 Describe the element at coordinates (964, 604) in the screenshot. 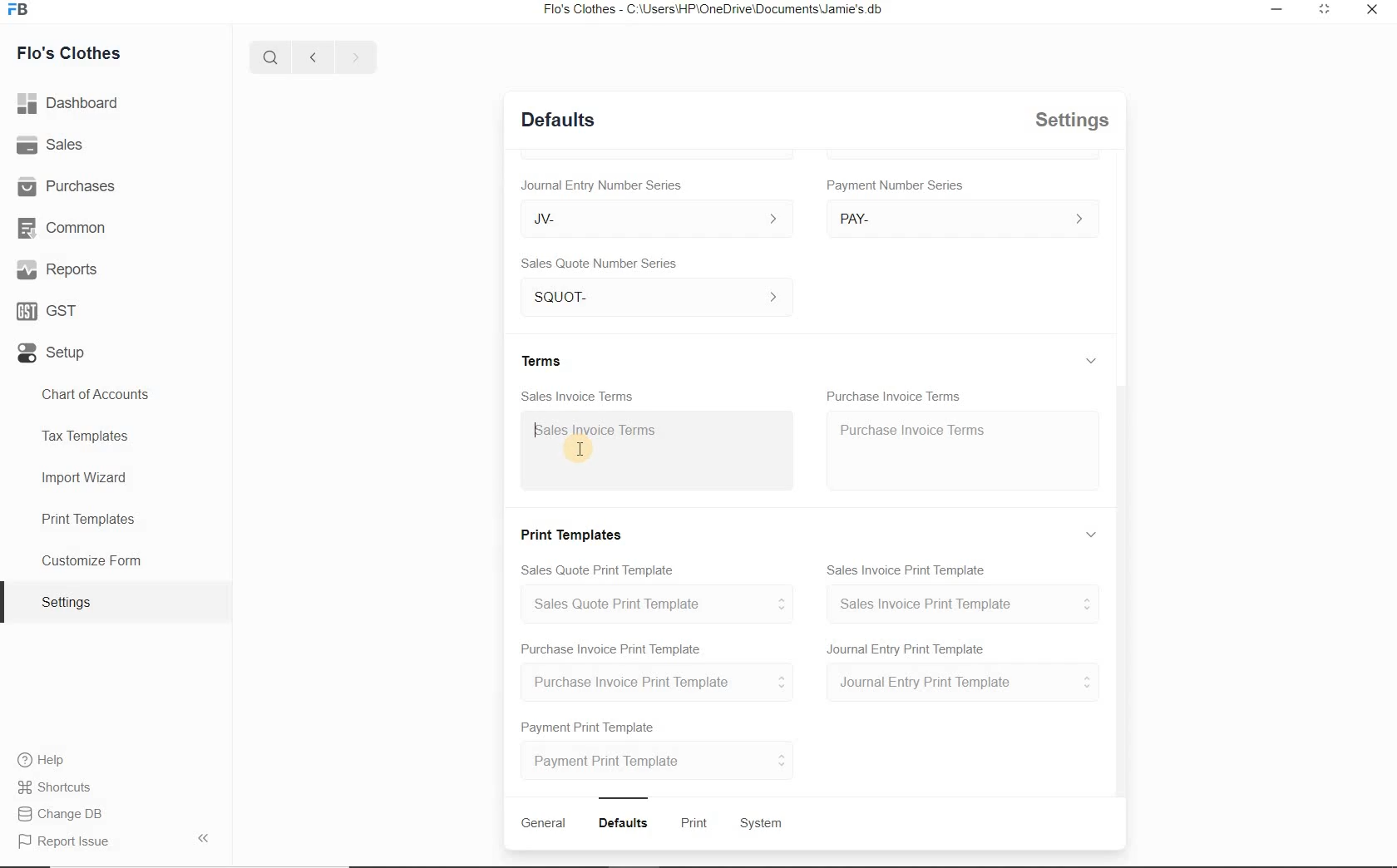

I see `Sales Invoice Print Template` at that location.